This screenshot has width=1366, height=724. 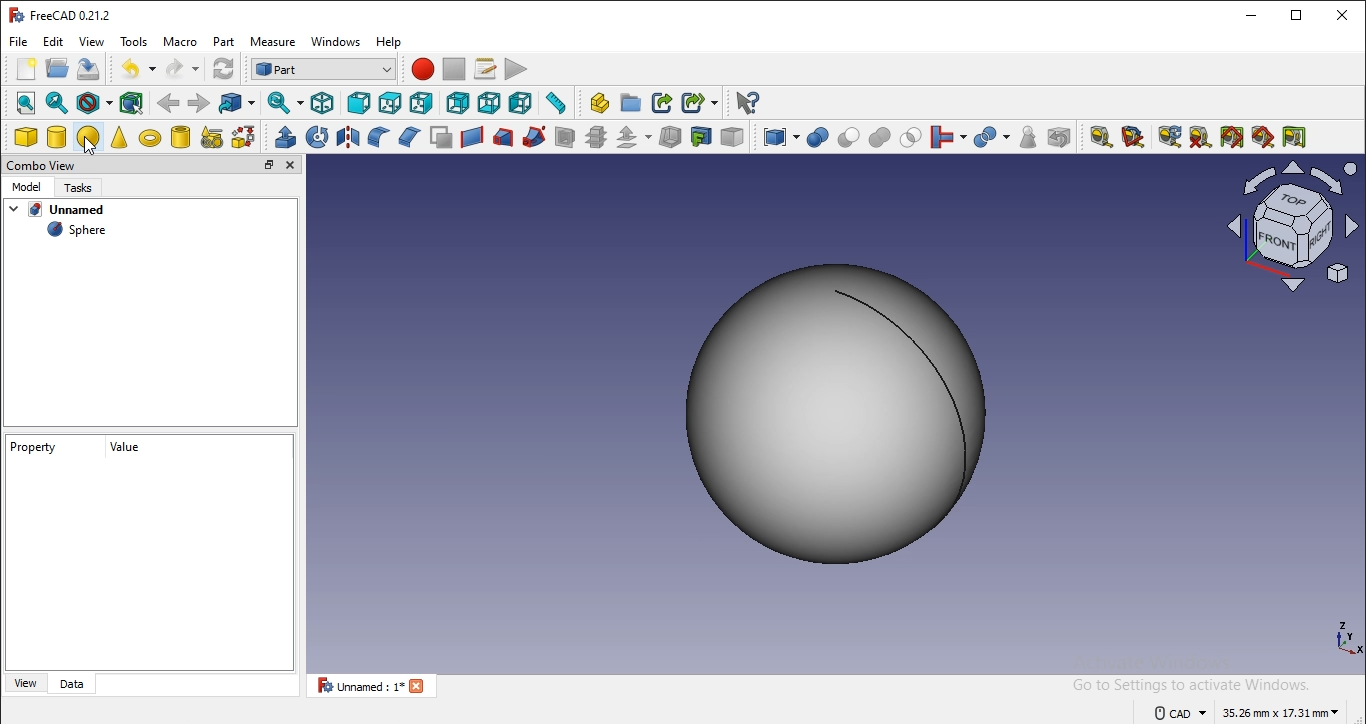 I want to click on execute macros, so click(x=517, y=69).